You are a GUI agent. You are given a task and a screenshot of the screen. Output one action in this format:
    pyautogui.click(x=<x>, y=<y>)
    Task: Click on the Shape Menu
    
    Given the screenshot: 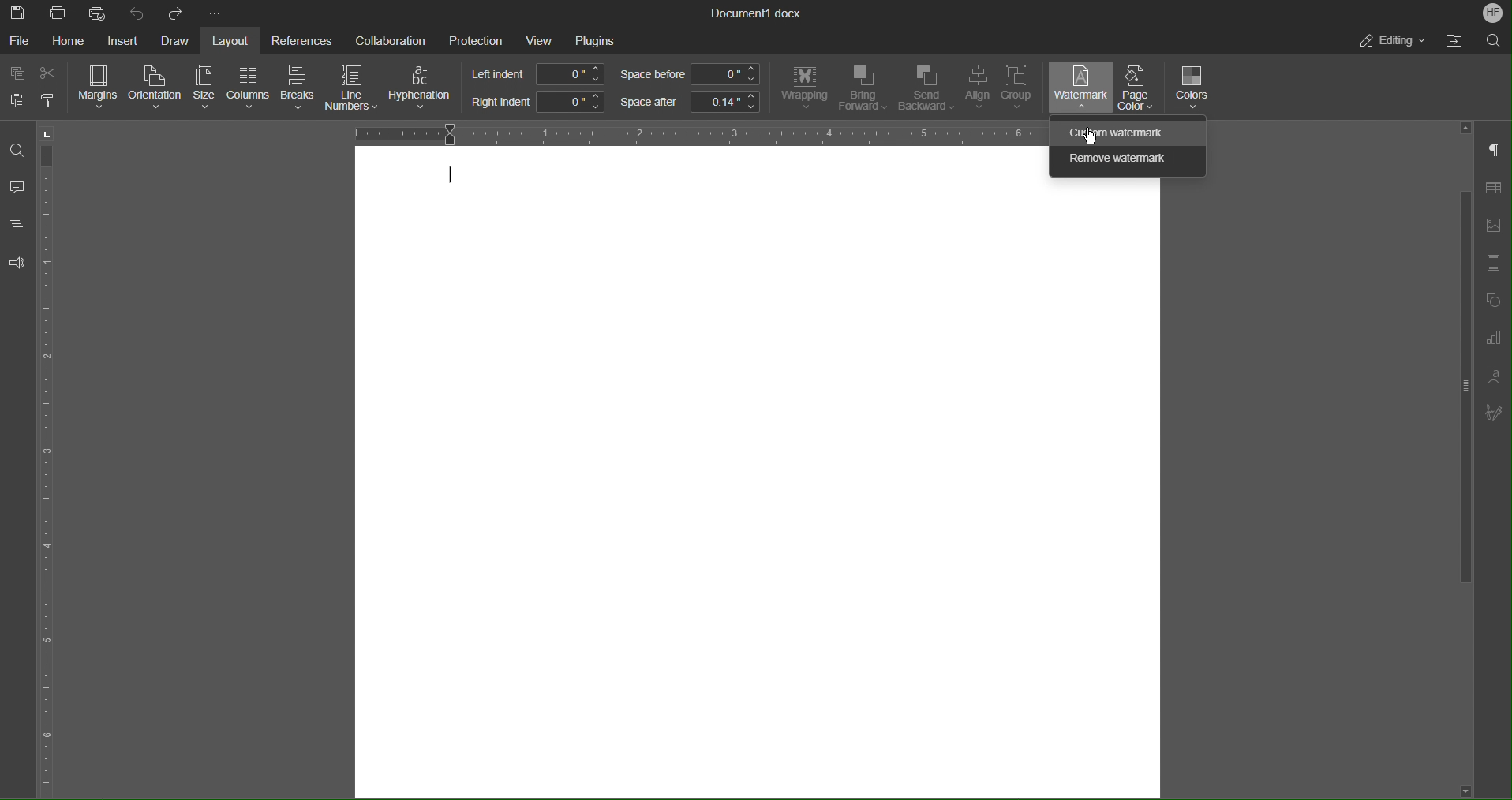 What is the action you would take?
    pyautogui.click(x=1491, y=302)
    